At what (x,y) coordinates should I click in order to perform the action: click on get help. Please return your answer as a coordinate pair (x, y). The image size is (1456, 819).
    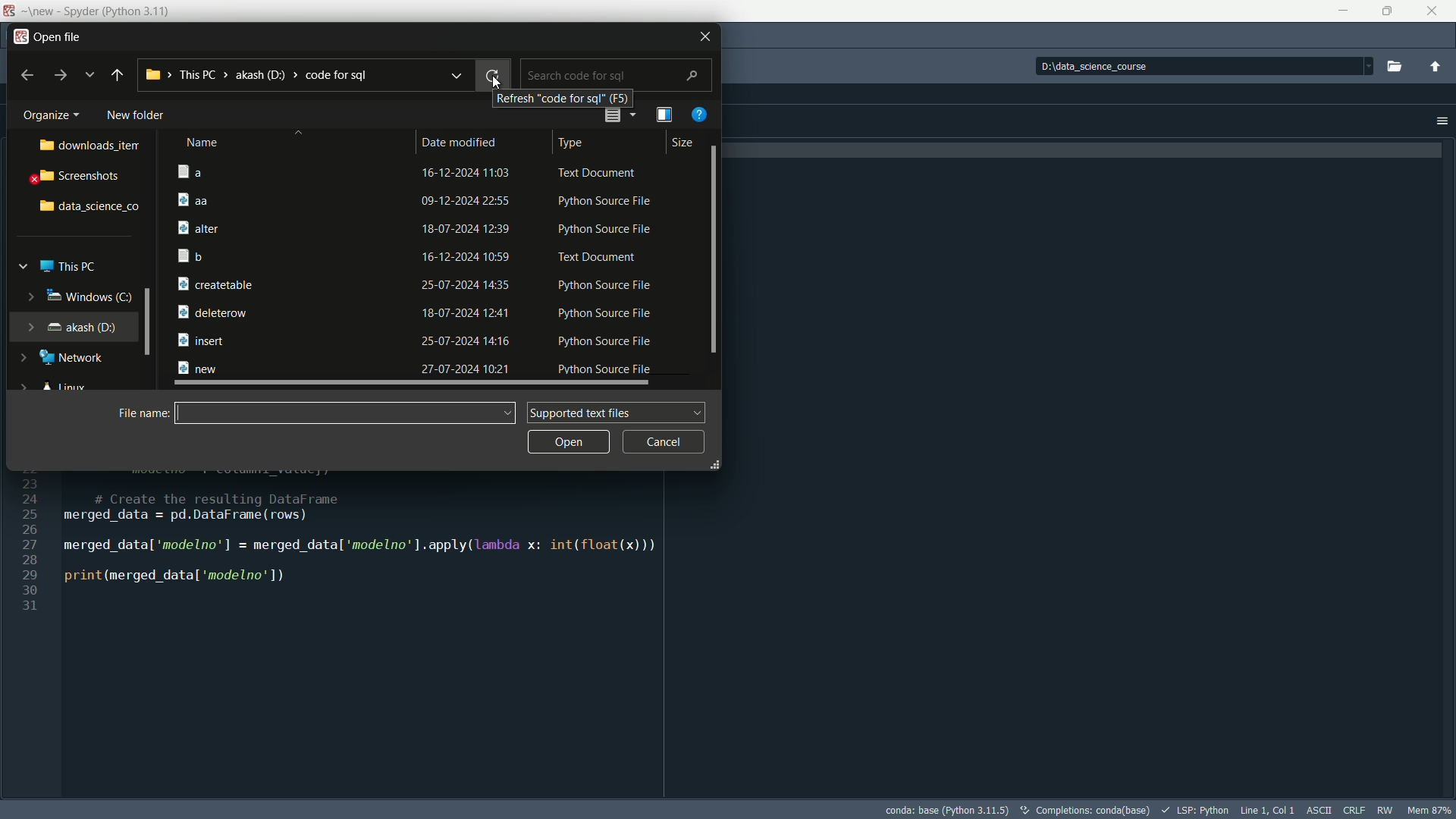
    Looking at the image, I should click on (701, 114).